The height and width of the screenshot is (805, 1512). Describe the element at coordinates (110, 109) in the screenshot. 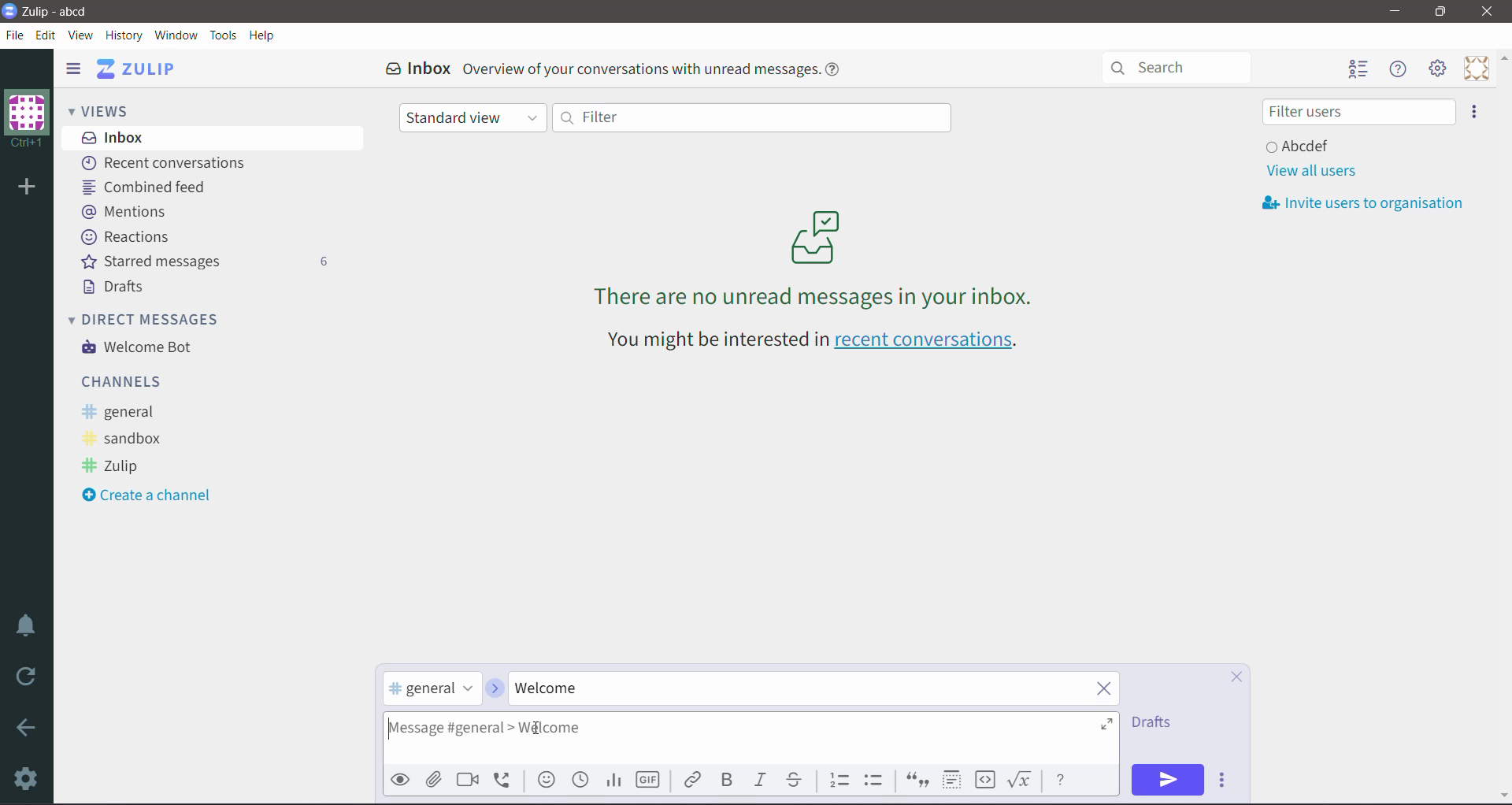

I see `Views` at that location.